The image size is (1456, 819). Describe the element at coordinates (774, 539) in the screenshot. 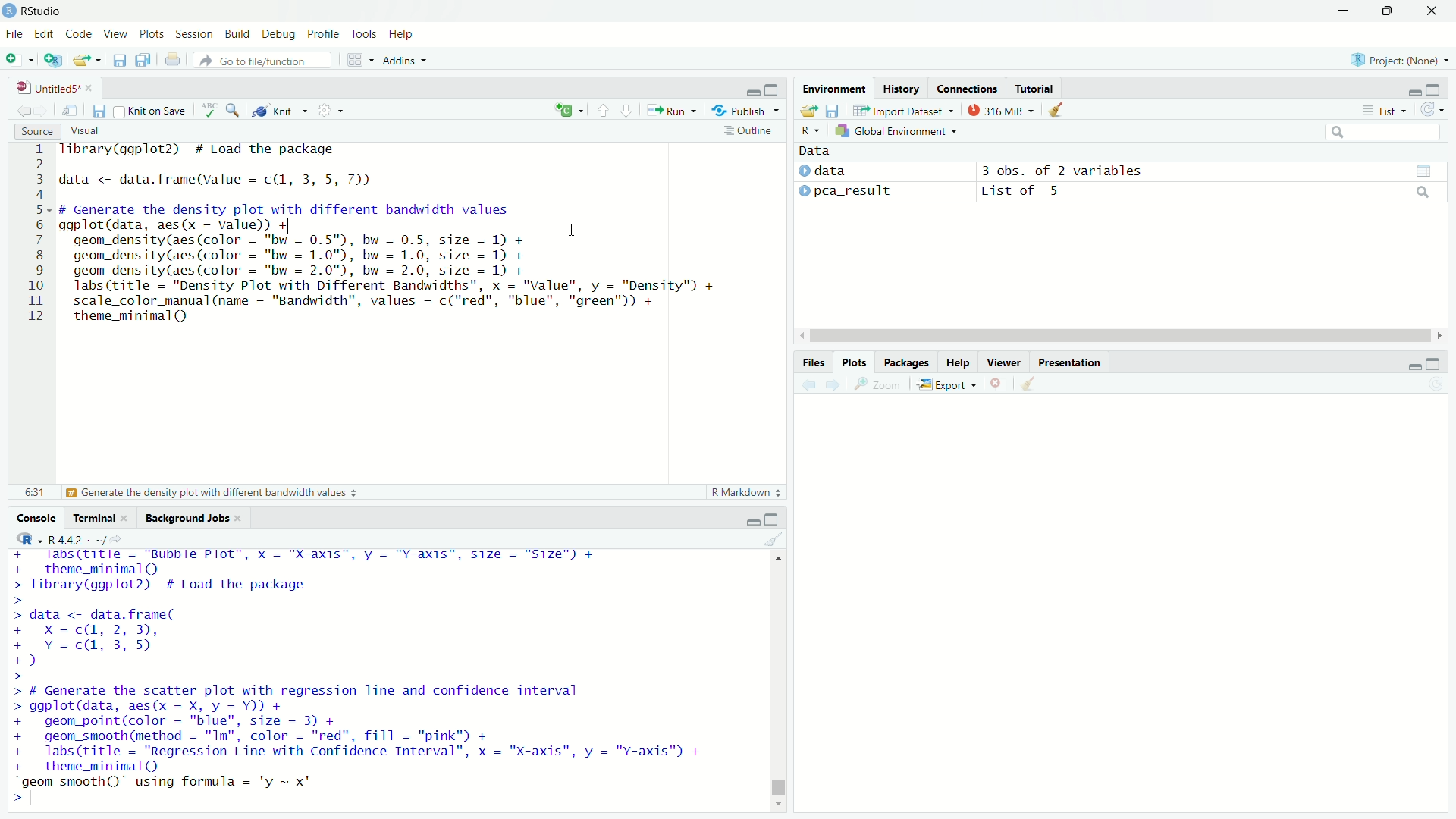

I see `Clear console` at that location.